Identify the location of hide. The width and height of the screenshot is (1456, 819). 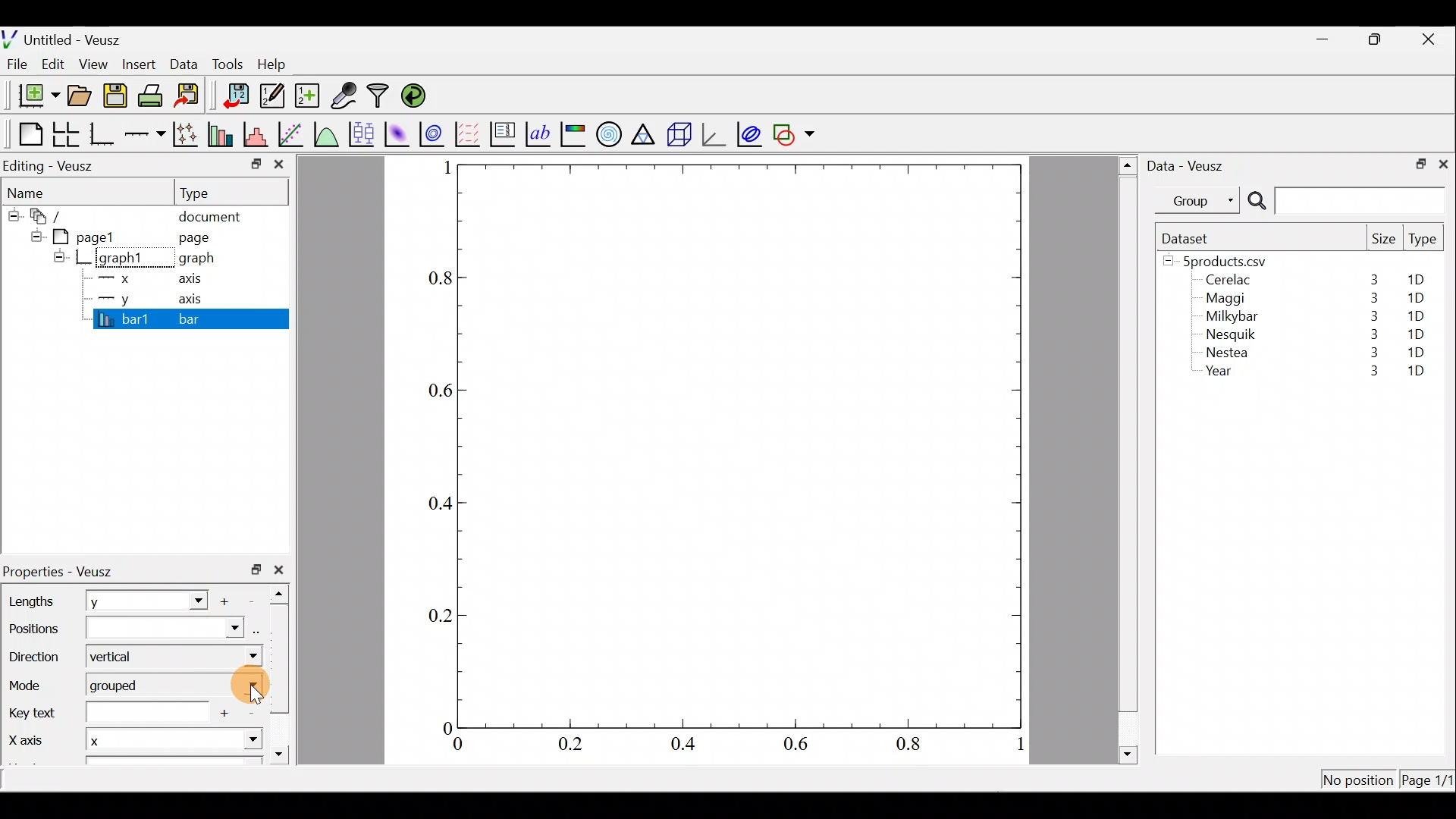
(12, 213).